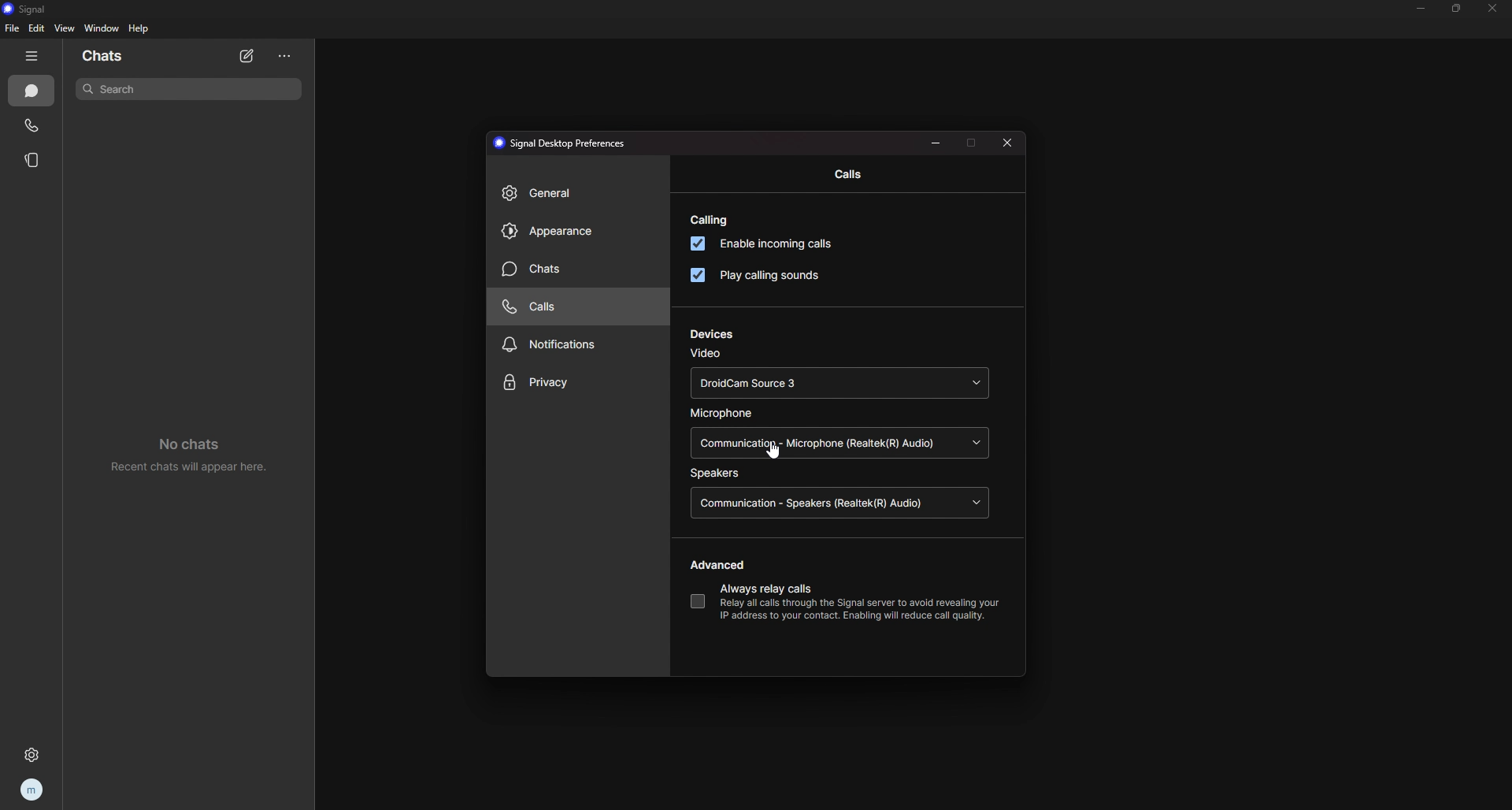 This screenshot has width=1512, height=810. Describe the element at coordinates (773, 588) in the screenshot. I see `always relay calls` at that location.